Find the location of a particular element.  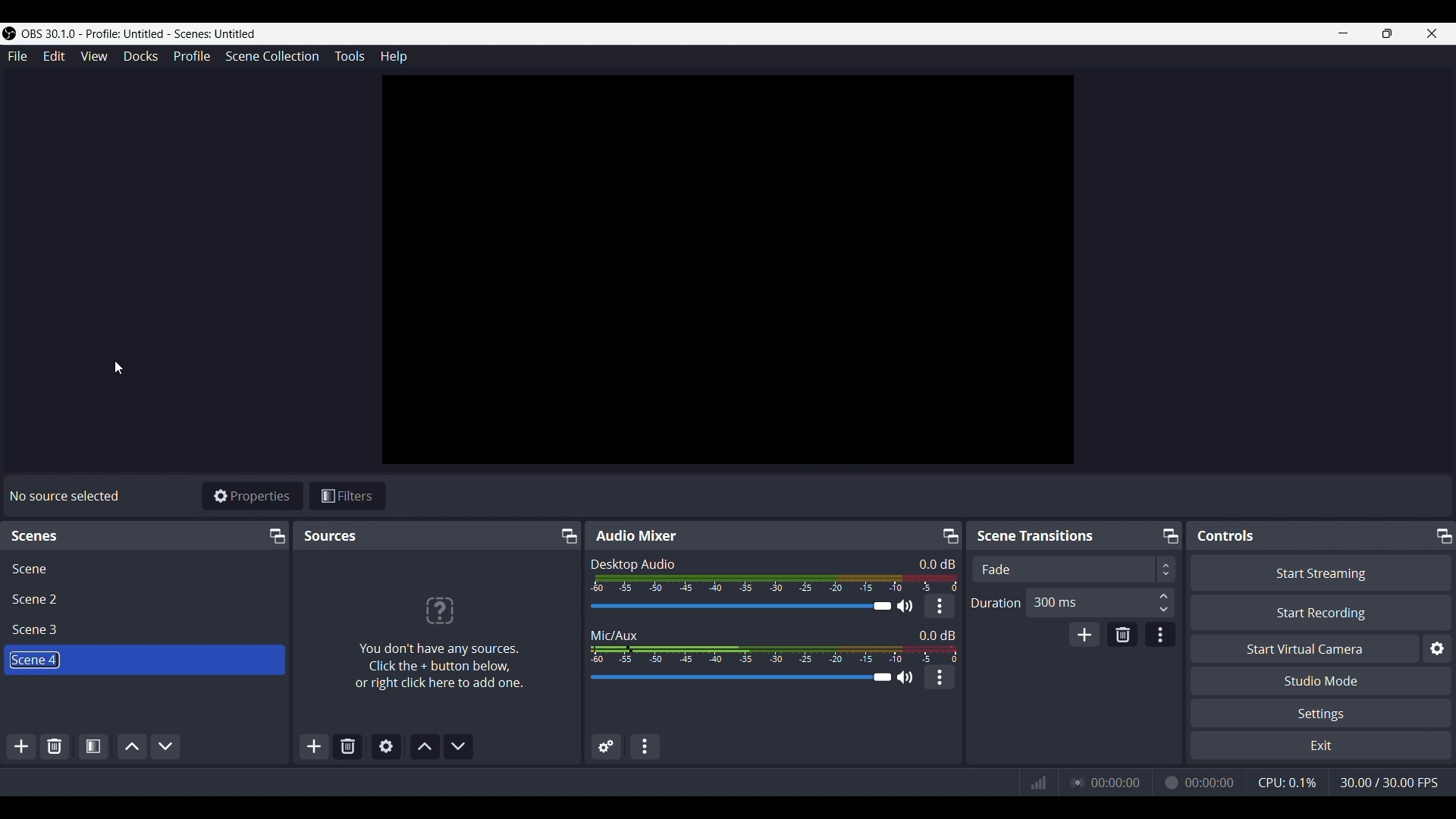

Frame Rate (FPS) is located at coordinates (1389, 783).